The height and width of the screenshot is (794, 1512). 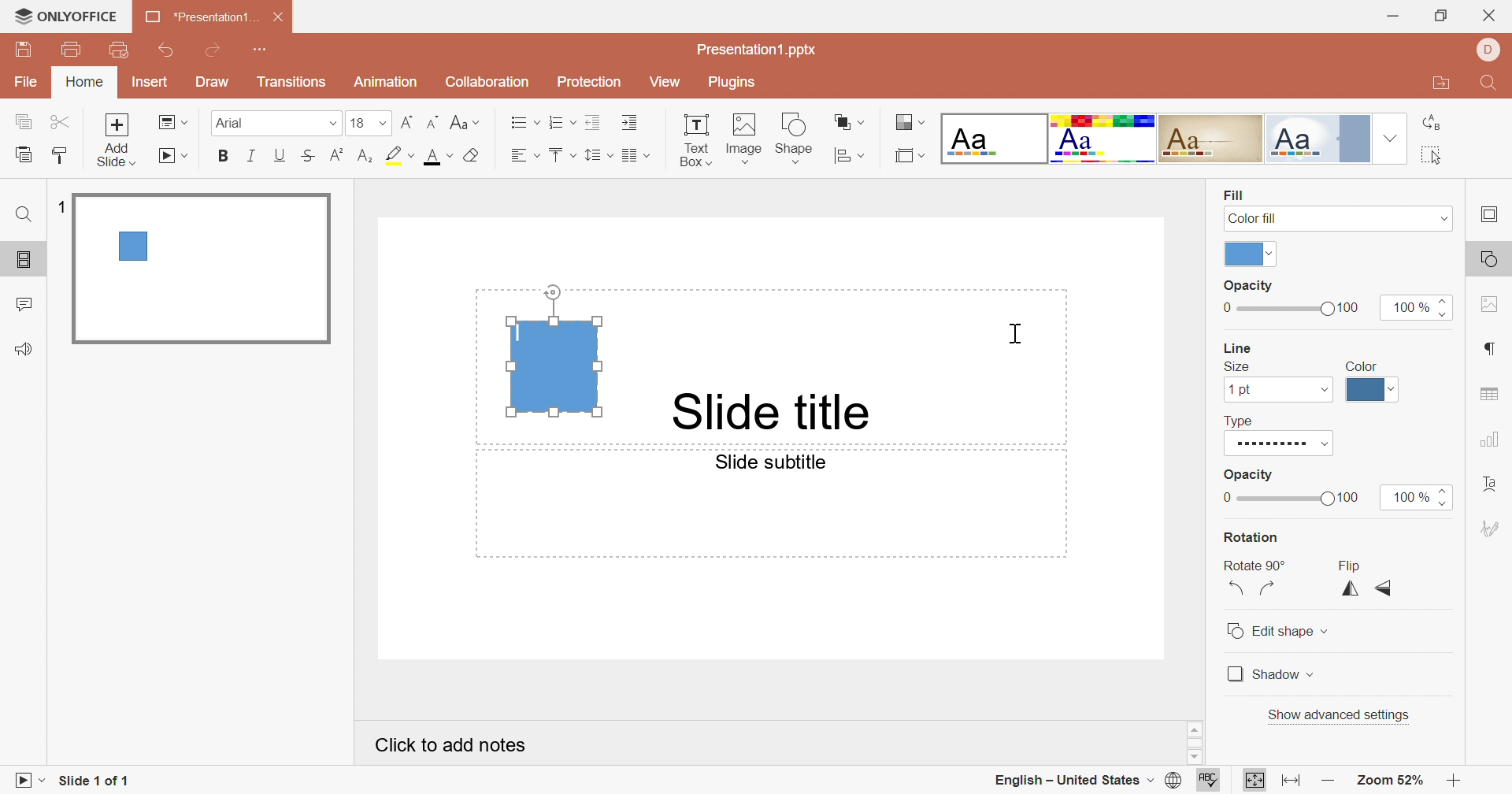 What do you see at coordinates (780, 465) in the screenshot?
I see `Slide subtitles` at bounding box center [780, 465].